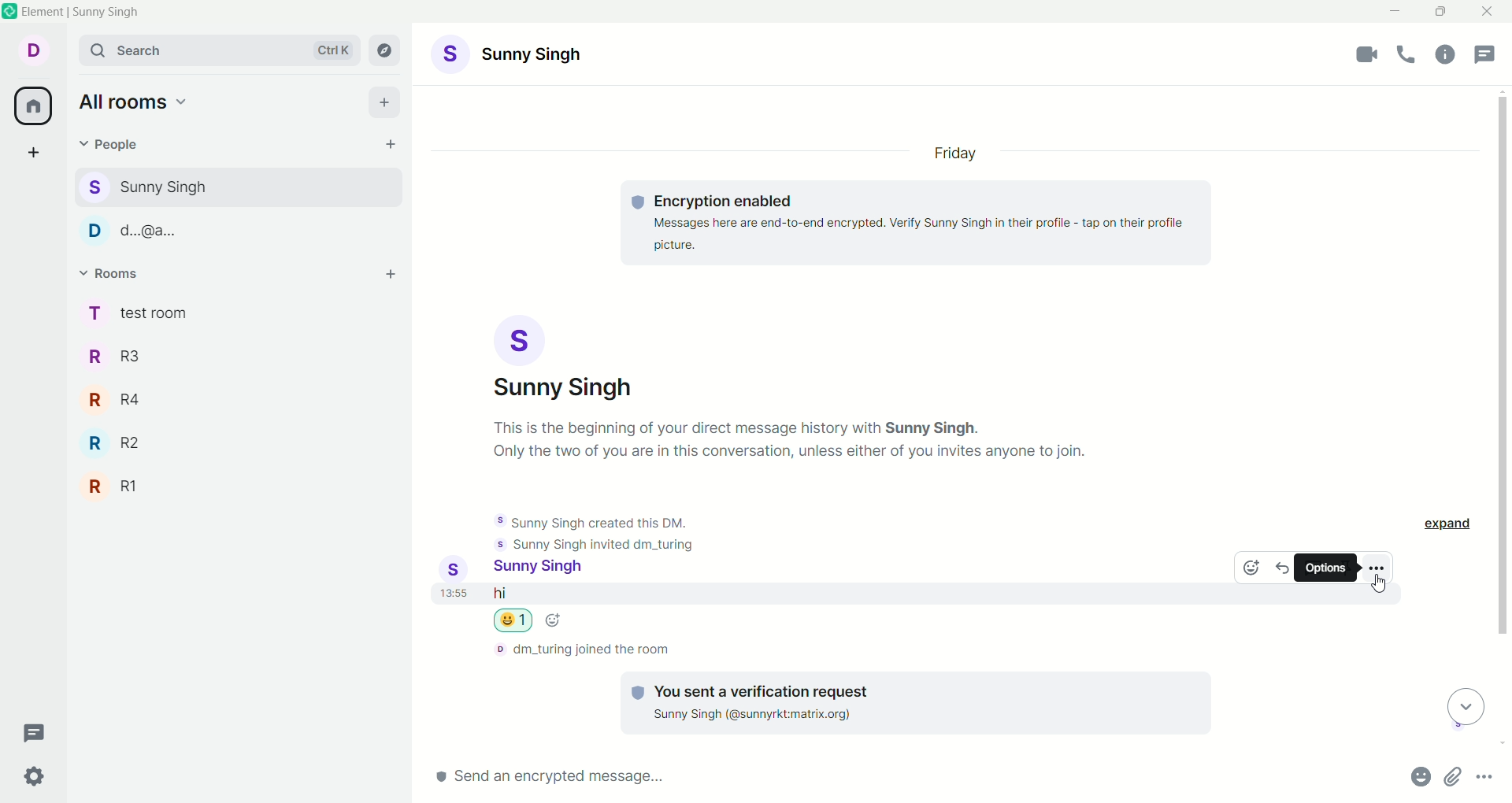 The height and width of the screenshot is (803, 1512). I want to click on time, so click(451, 599).